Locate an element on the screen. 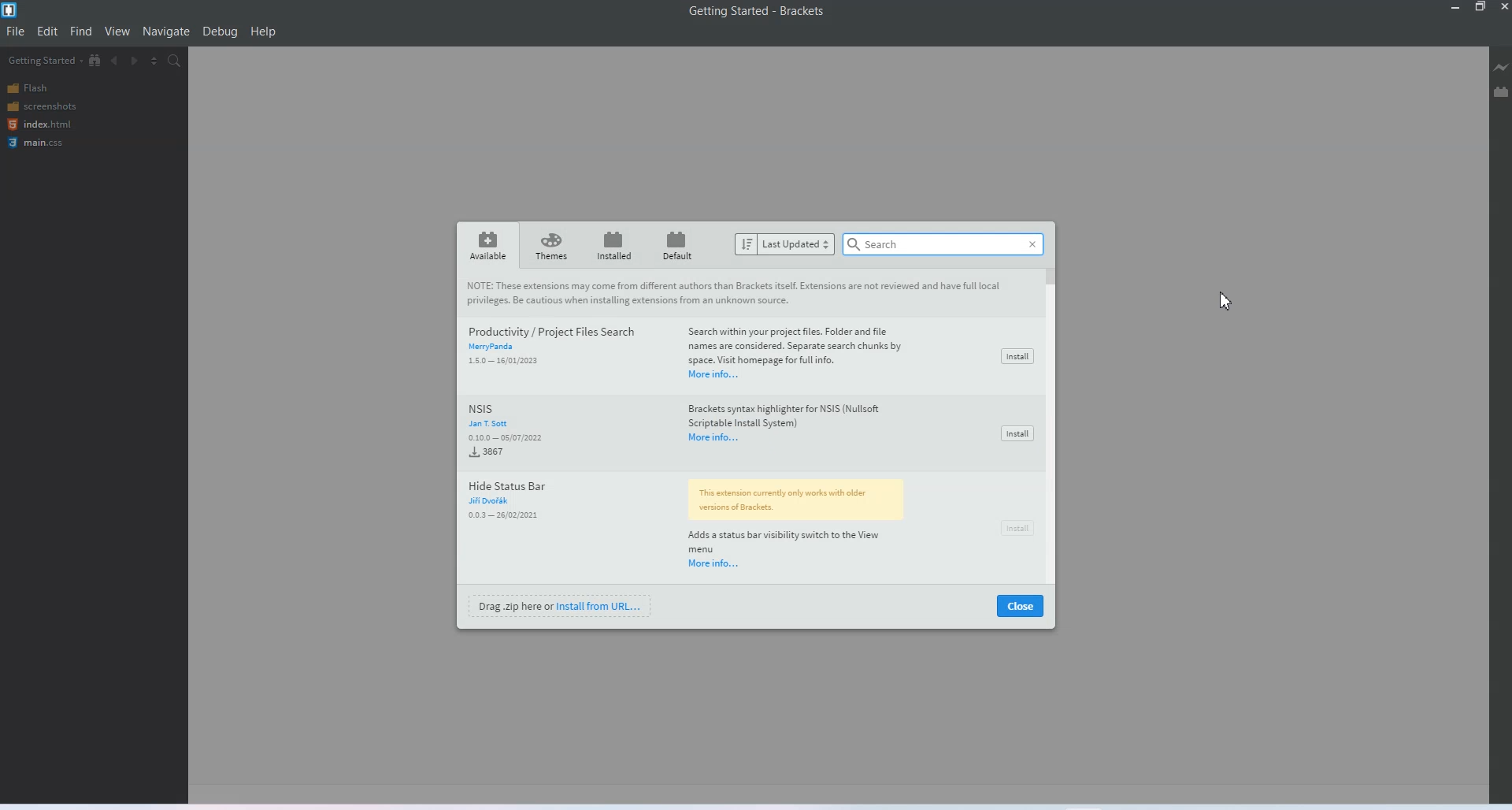  close is located at coordinates (1019, 605).